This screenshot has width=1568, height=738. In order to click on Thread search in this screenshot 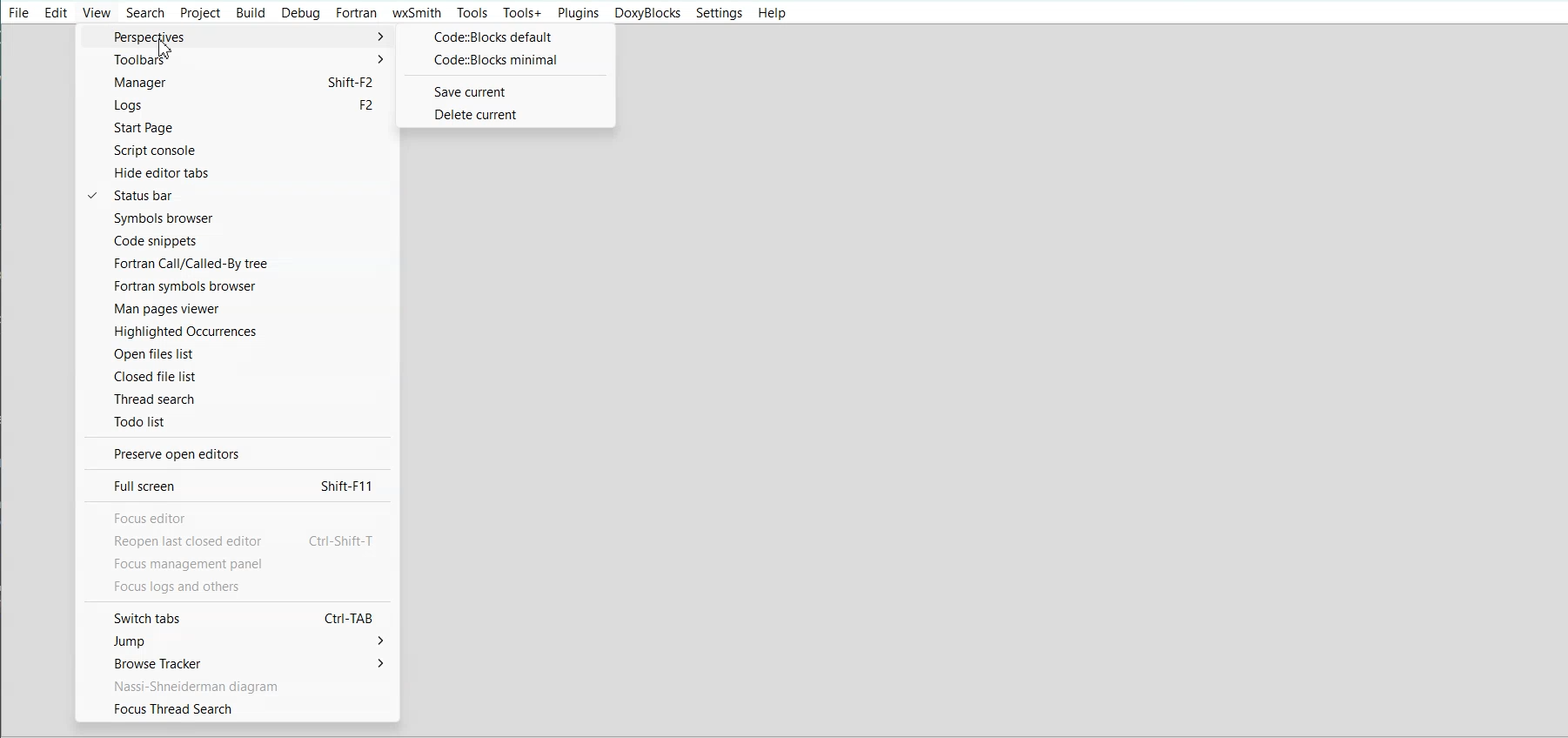, I will do `click(238, 399)`.